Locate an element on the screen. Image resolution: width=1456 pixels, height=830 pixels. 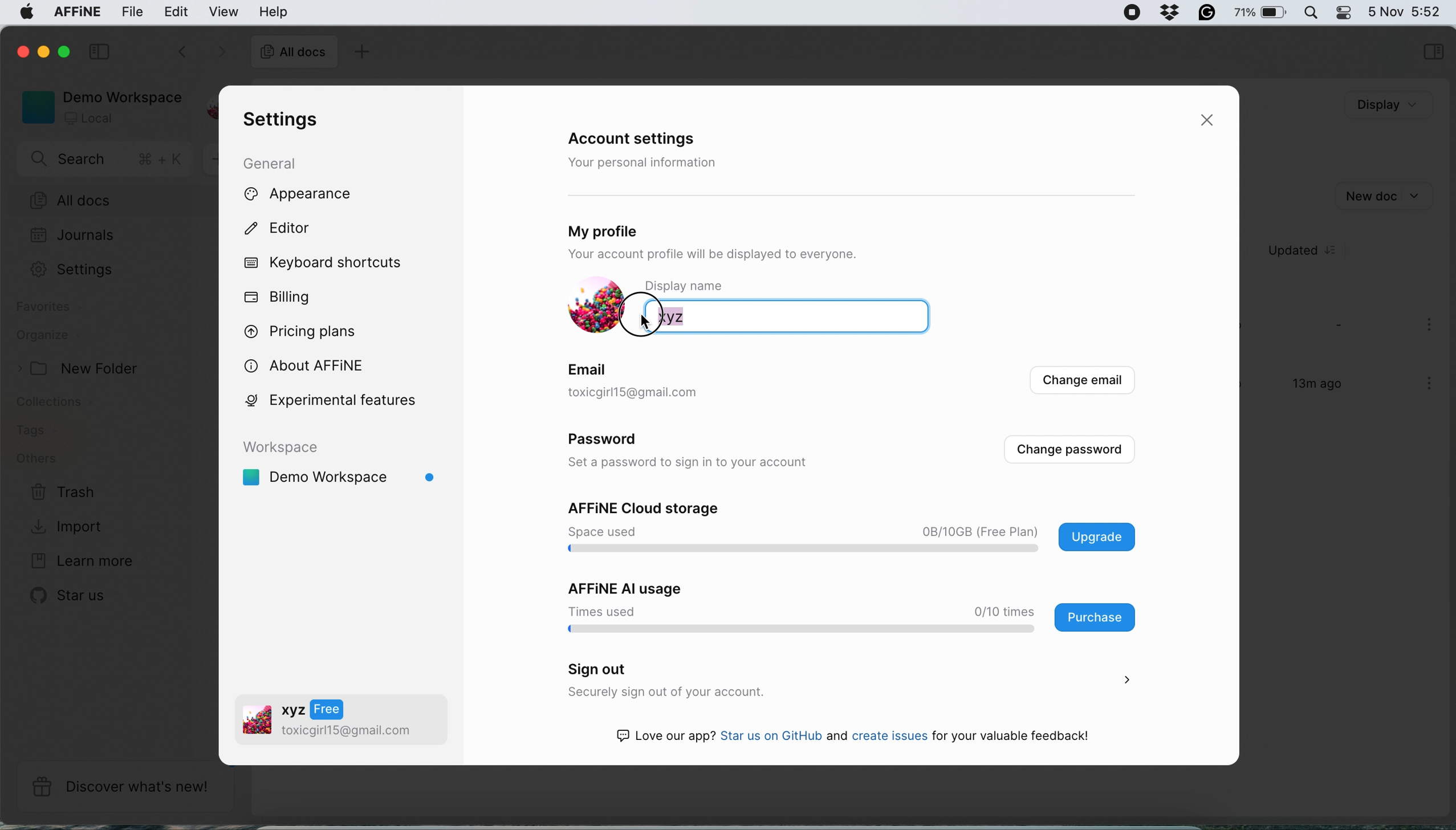
screen recorder is located at coordinates (1125, 13).